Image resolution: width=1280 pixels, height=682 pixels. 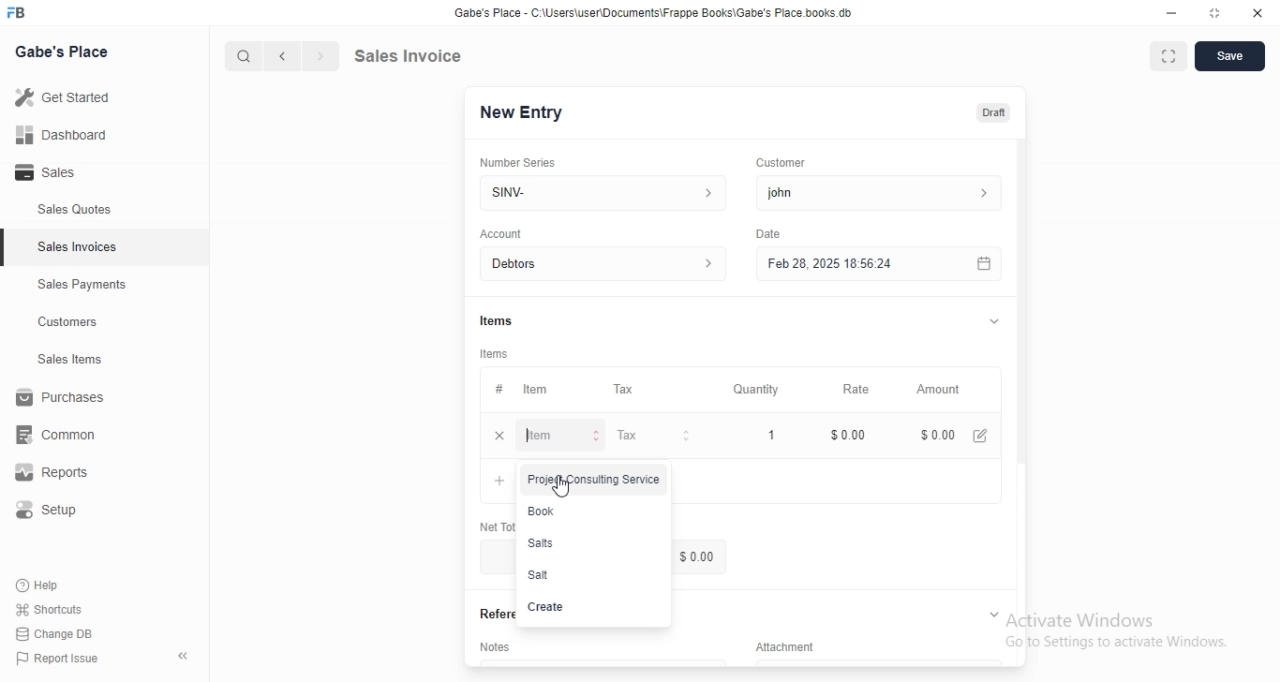 What do you see at coordinates (234, 56) in the screenshot?
I see `cursor` at bounding box center [234, 56].